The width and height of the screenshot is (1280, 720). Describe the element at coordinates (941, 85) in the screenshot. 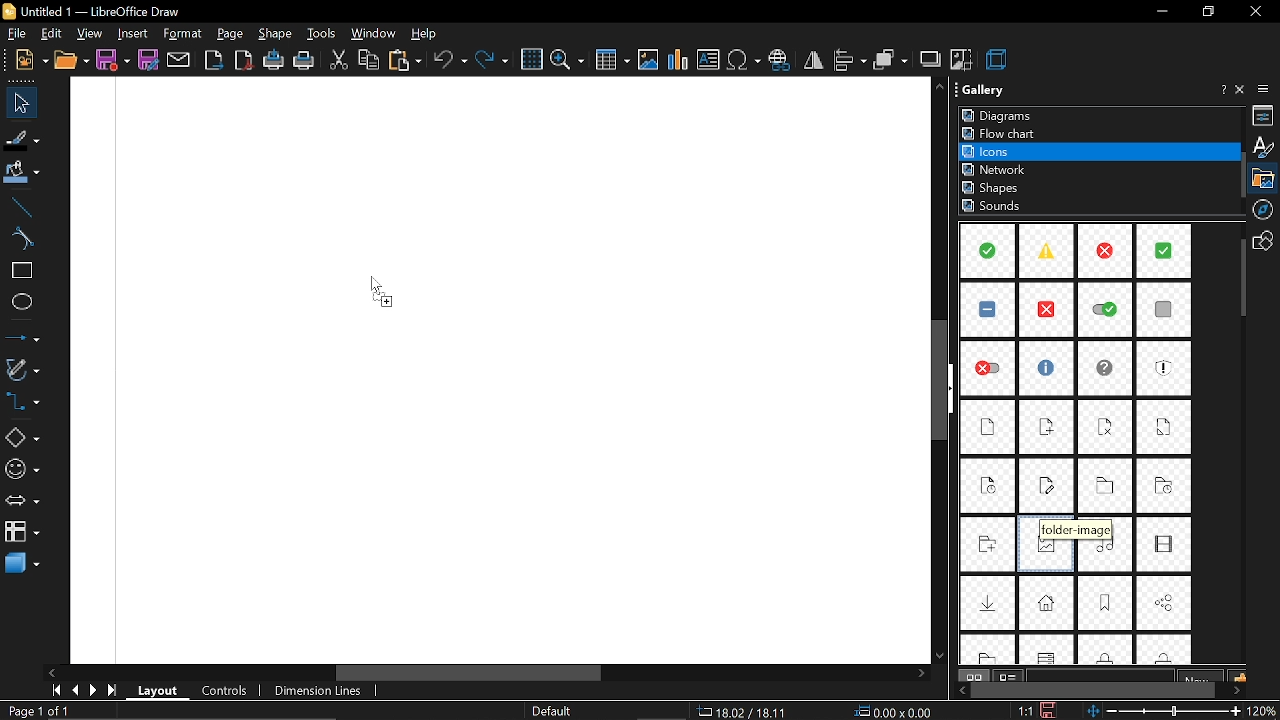

I see `scroll up` at that location.